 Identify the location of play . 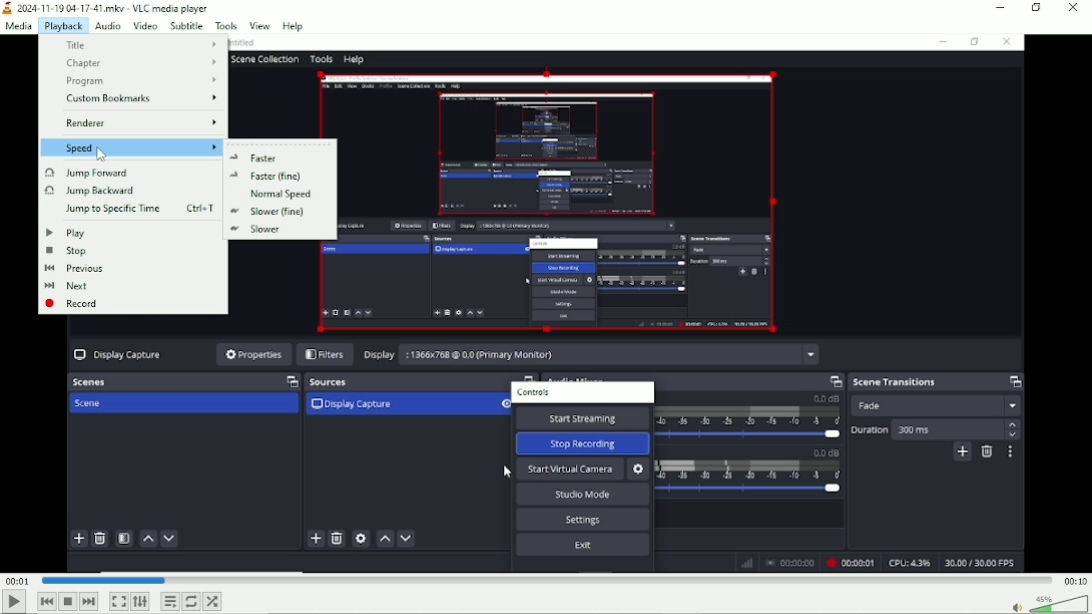
(127, 233).